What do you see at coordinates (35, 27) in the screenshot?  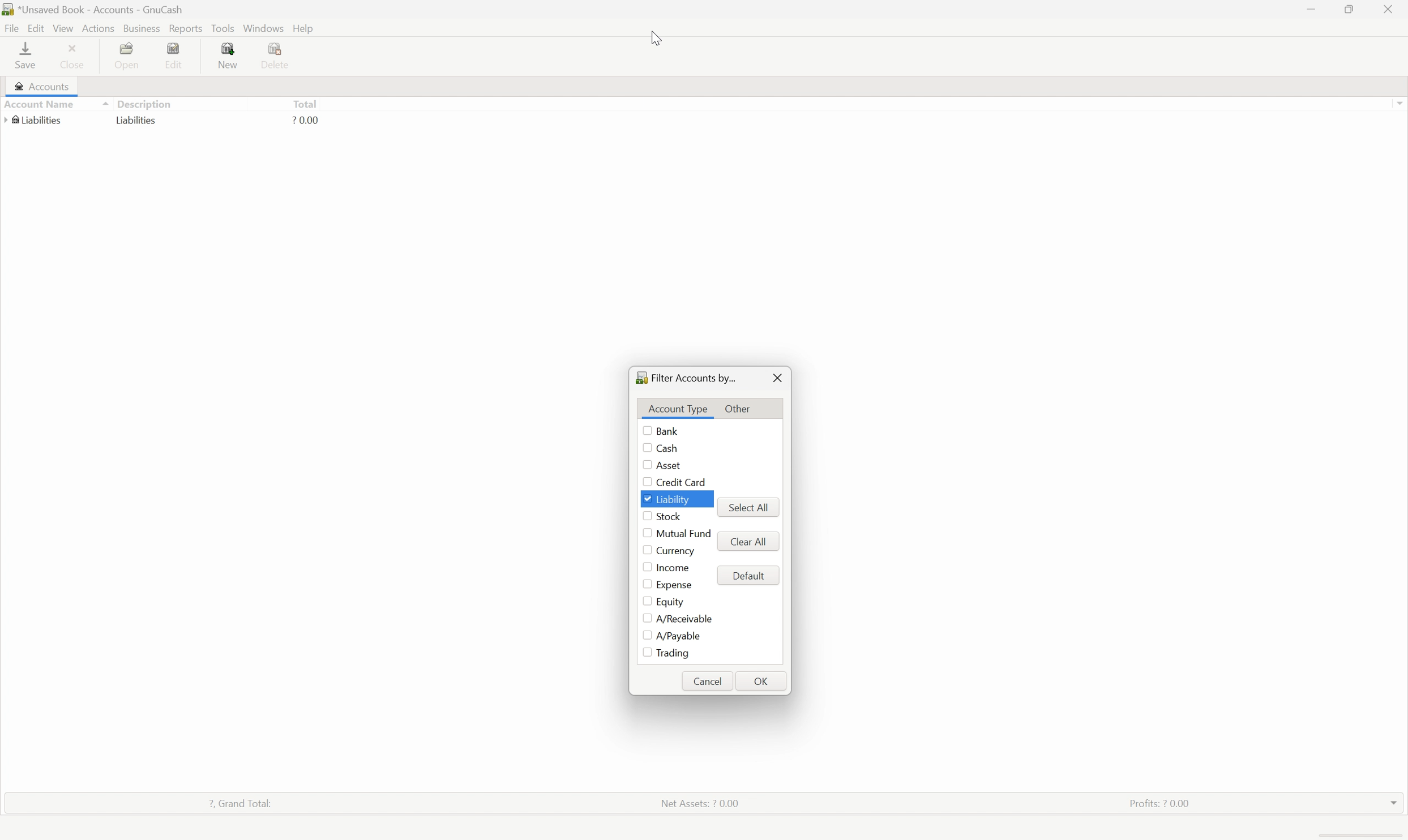 I see `Edit` at bounding box center [35, 27].